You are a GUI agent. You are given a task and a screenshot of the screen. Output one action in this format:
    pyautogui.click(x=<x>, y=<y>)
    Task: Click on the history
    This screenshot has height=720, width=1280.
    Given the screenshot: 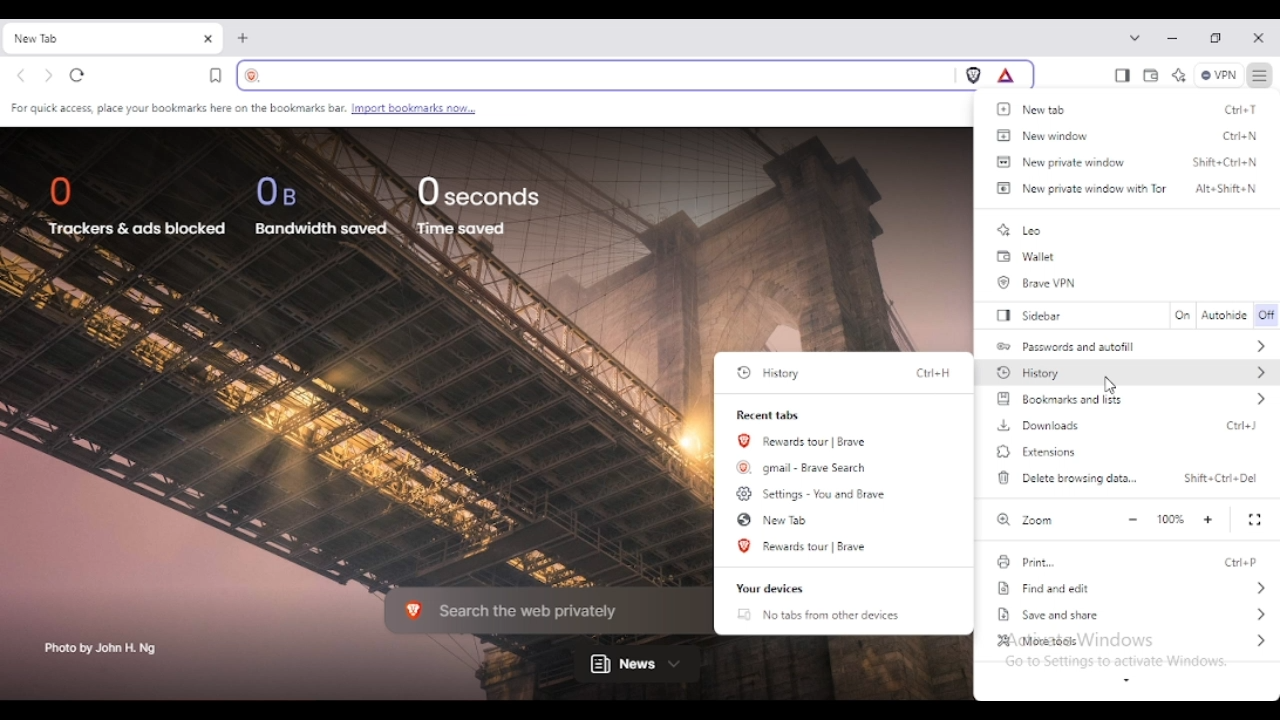 What is the action you would take?
    pyautogui.click(x=772, y=373)
    